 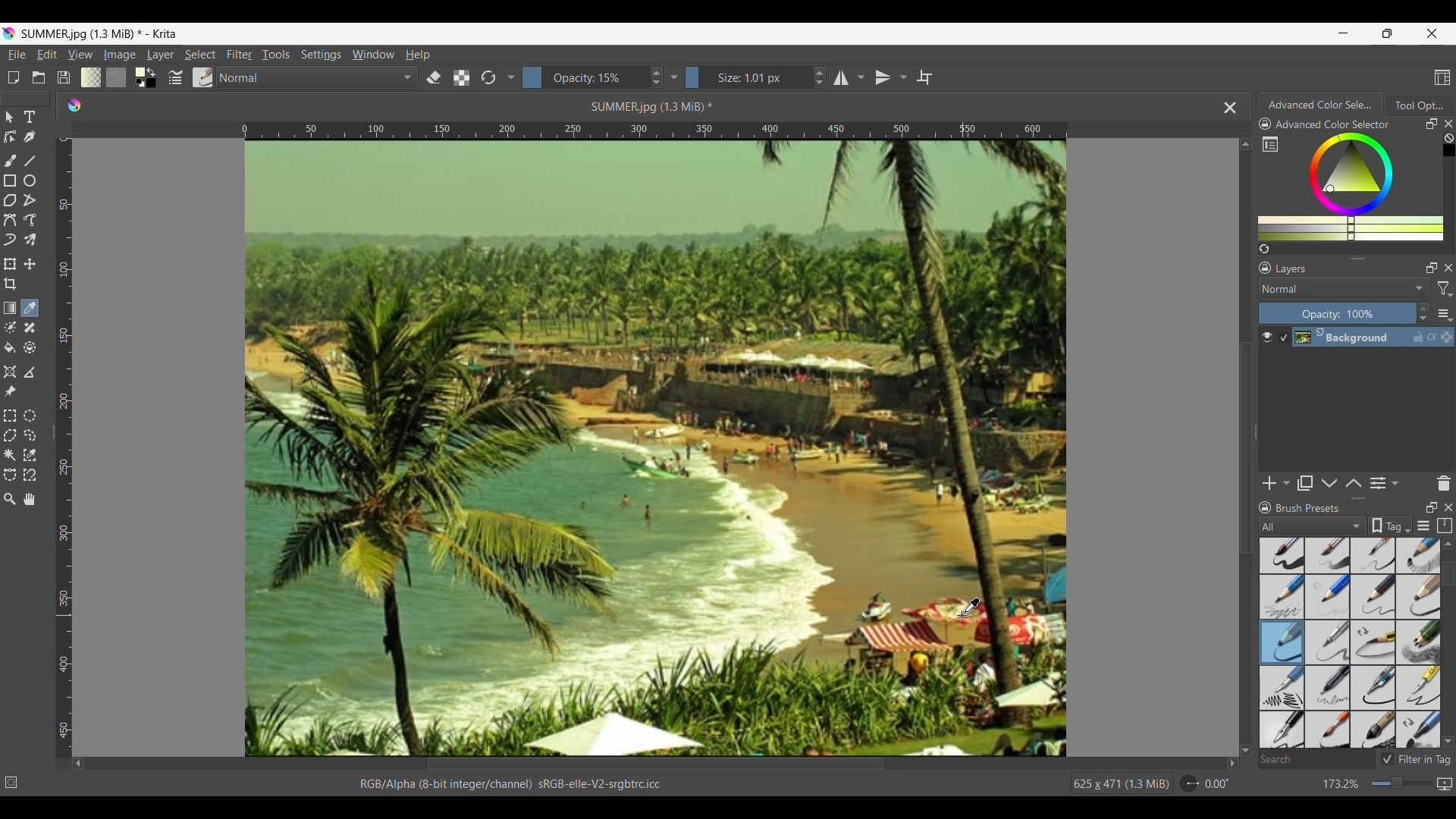 What do you see at coordinates (120, 54) in the screenshot?
I see `Image menu` at bounding box center [120, 54].